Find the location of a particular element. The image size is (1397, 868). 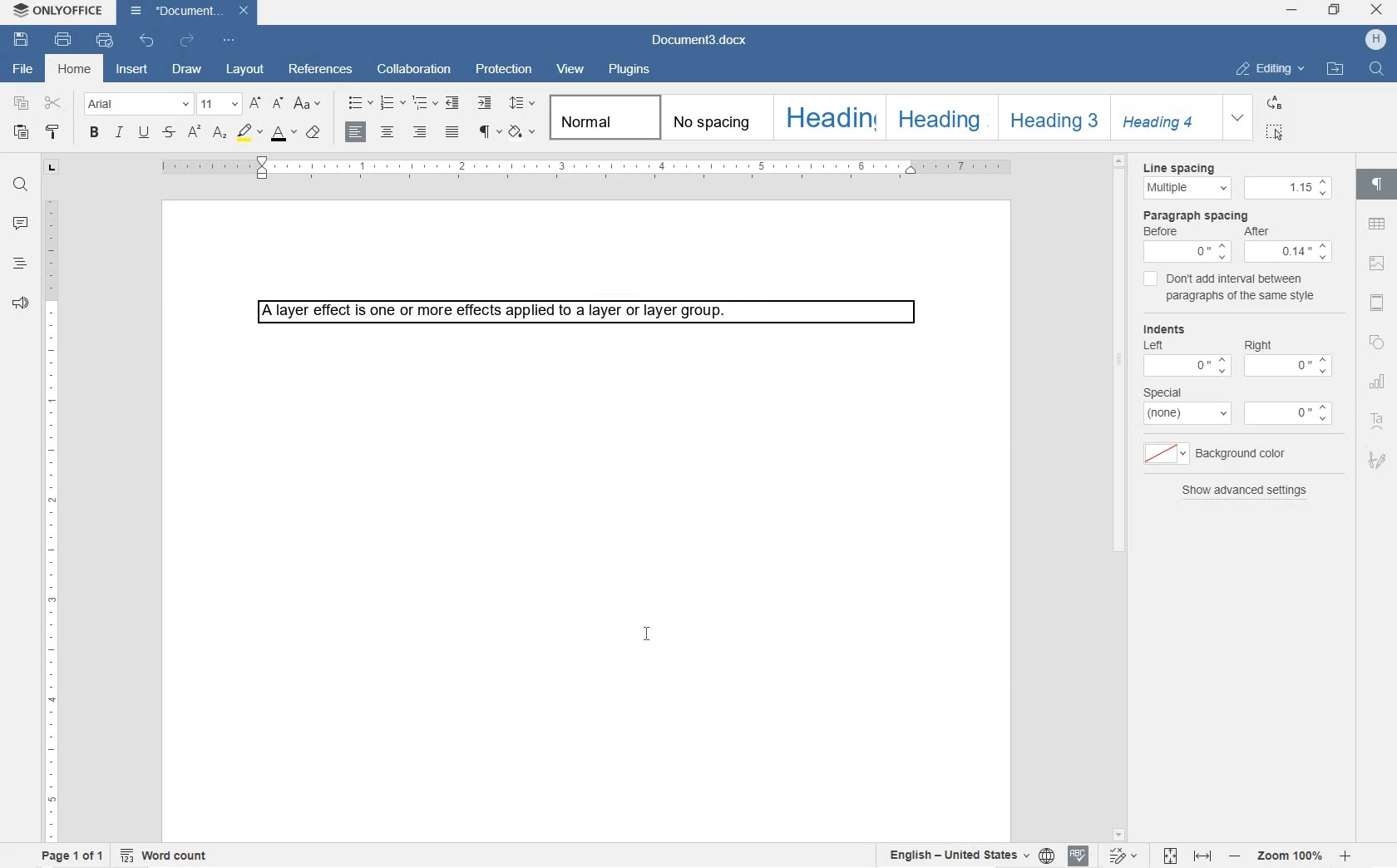

show advanced settings is located at coordinates (1246, 493).